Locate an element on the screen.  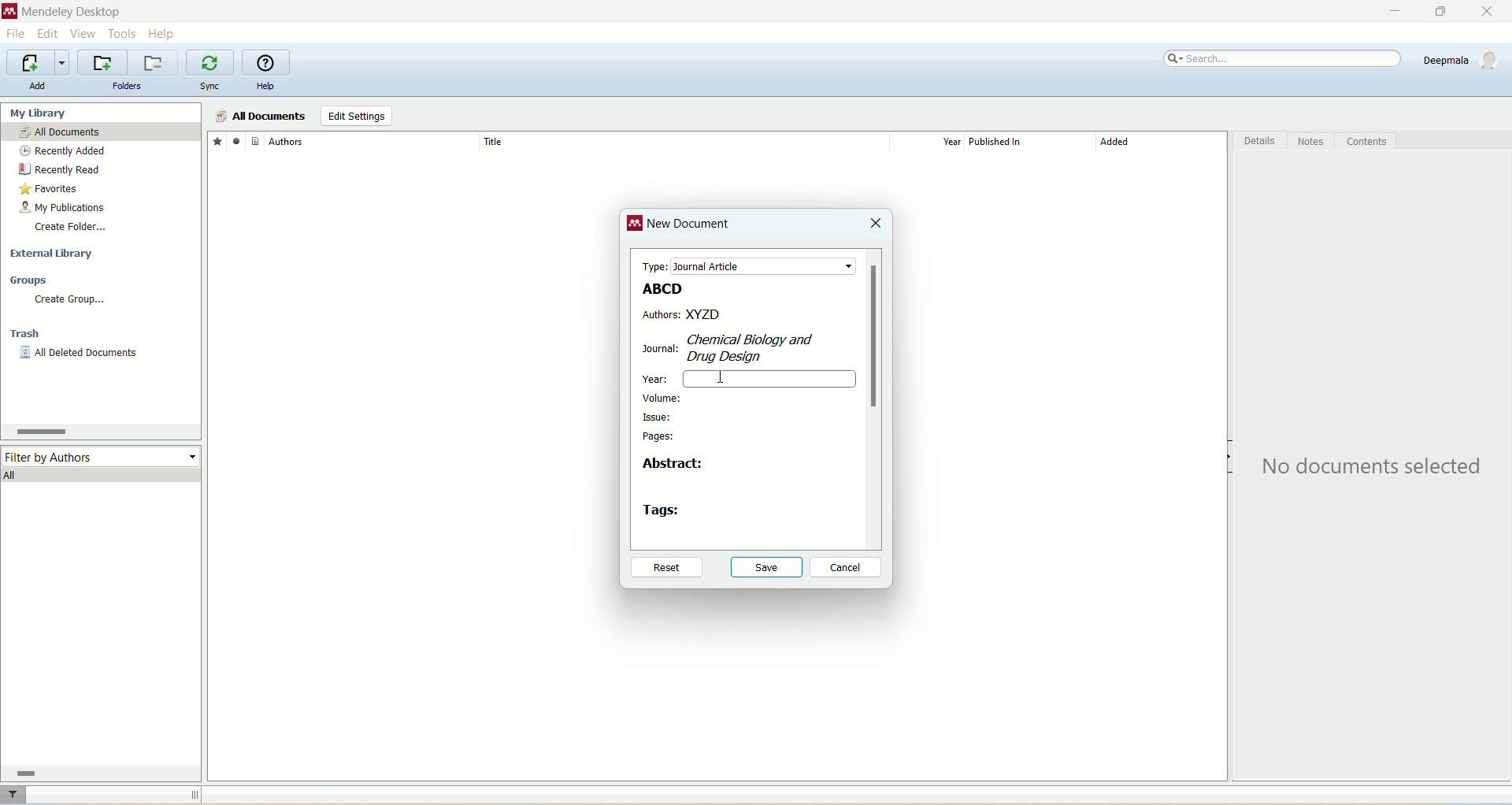
filter by author is located at coordinates (102, 455).